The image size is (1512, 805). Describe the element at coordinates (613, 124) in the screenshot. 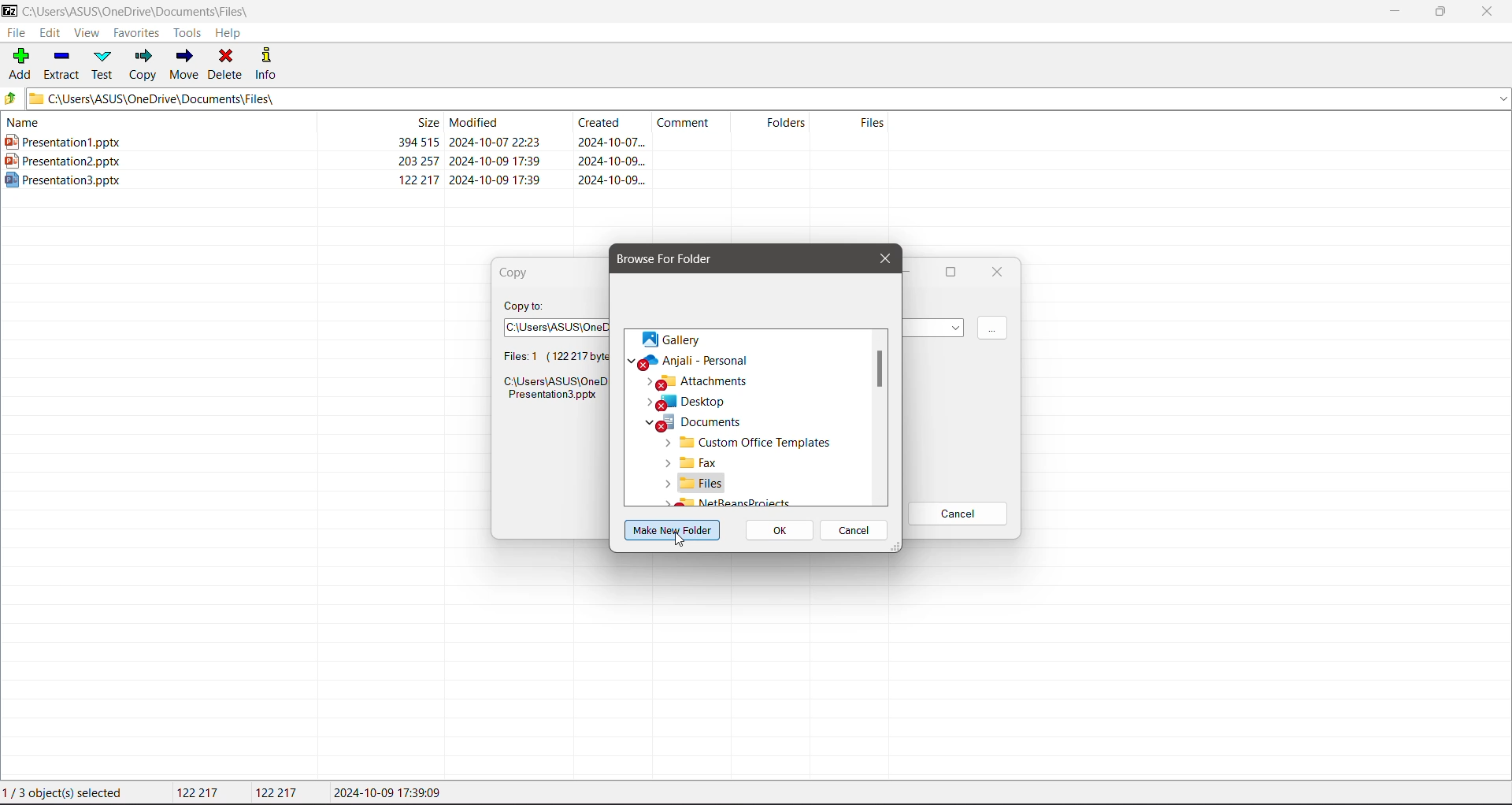

I see `Created Date` at that location.